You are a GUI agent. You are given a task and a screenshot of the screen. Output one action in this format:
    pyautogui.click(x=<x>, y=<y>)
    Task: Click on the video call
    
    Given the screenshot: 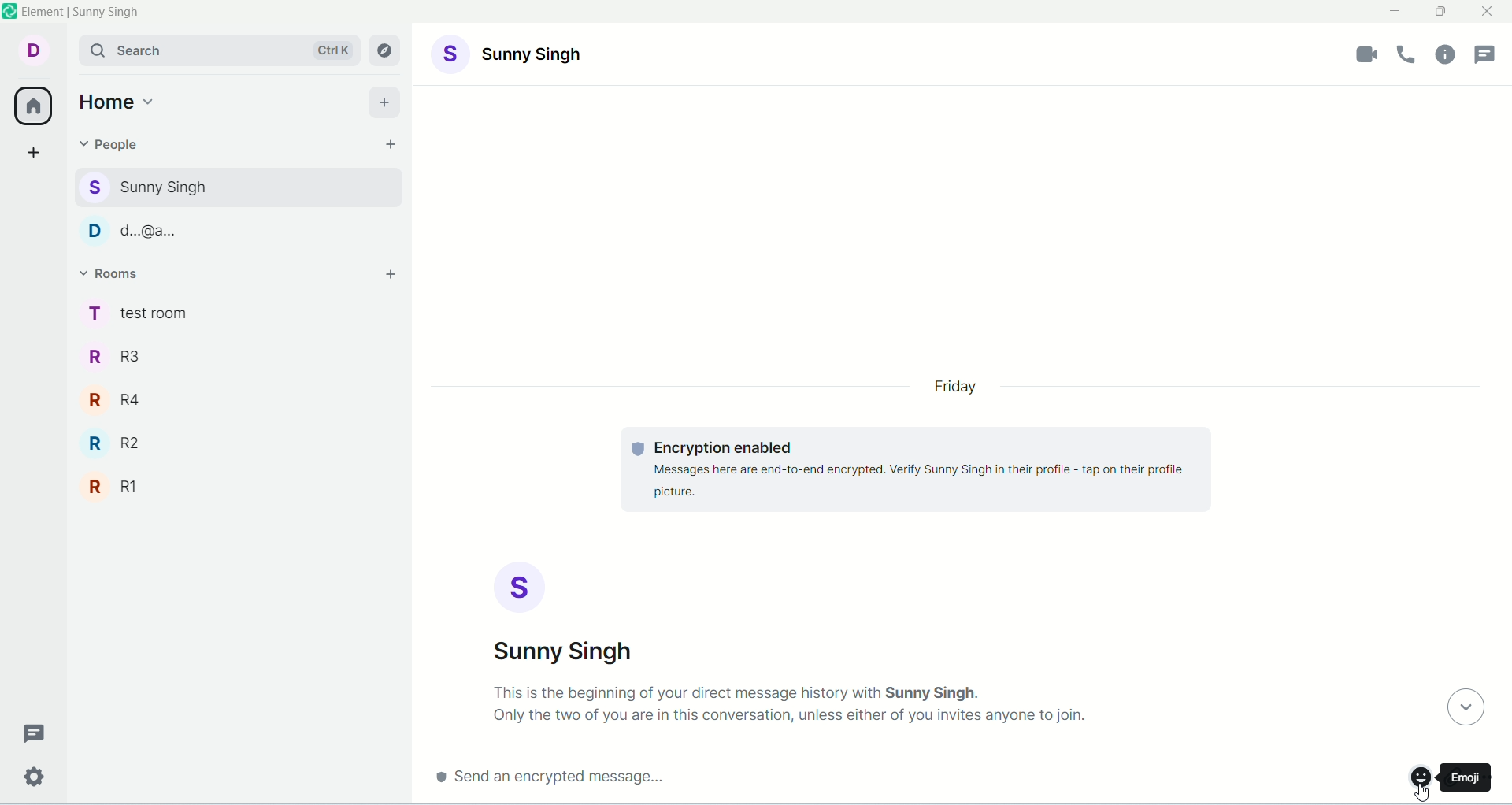 What is the action you would take?
    pyautogui.click(x=1365, y=54)
    